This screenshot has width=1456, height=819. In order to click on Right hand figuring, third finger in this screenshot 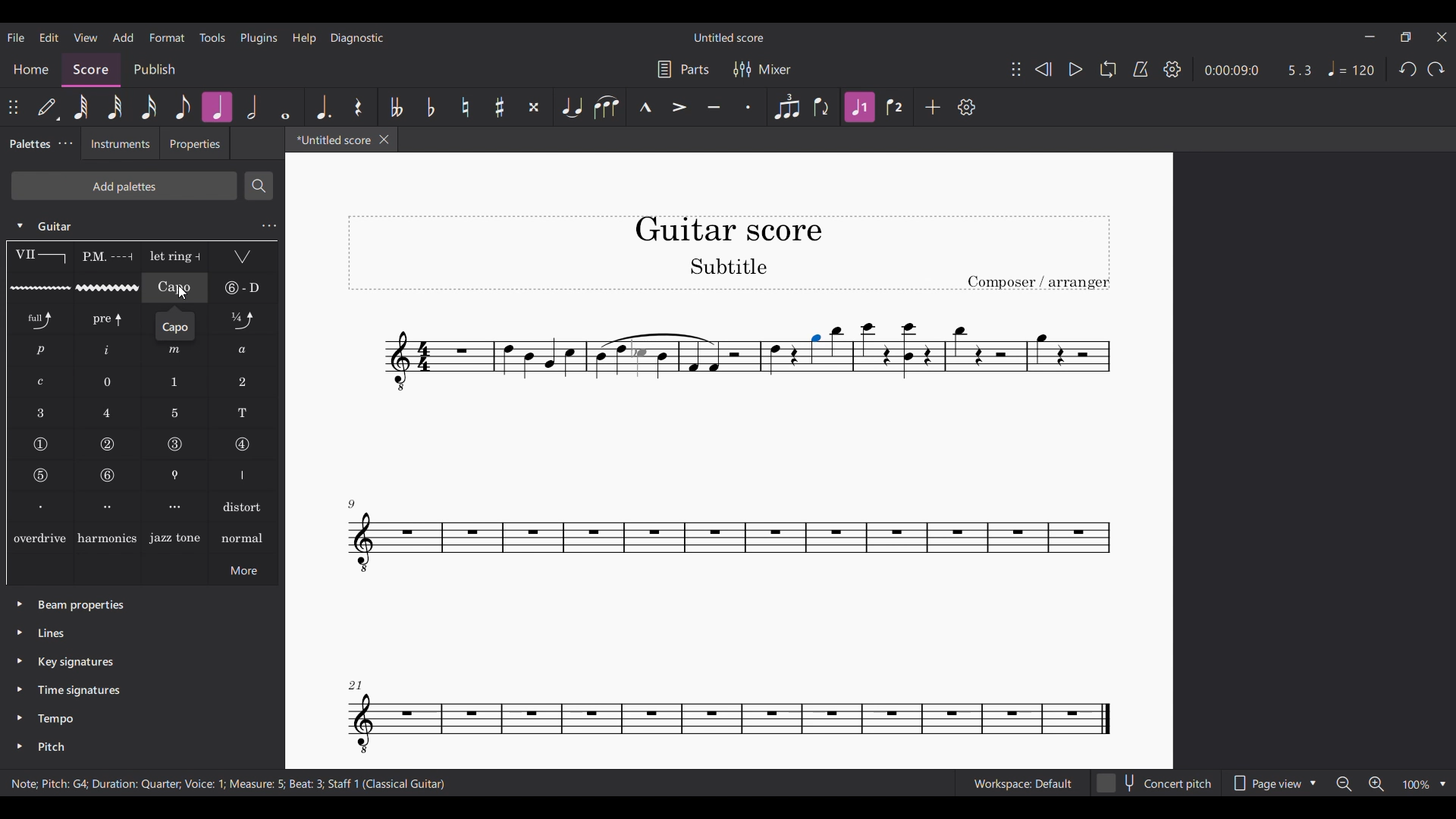, I will do `click(176, 507)`.